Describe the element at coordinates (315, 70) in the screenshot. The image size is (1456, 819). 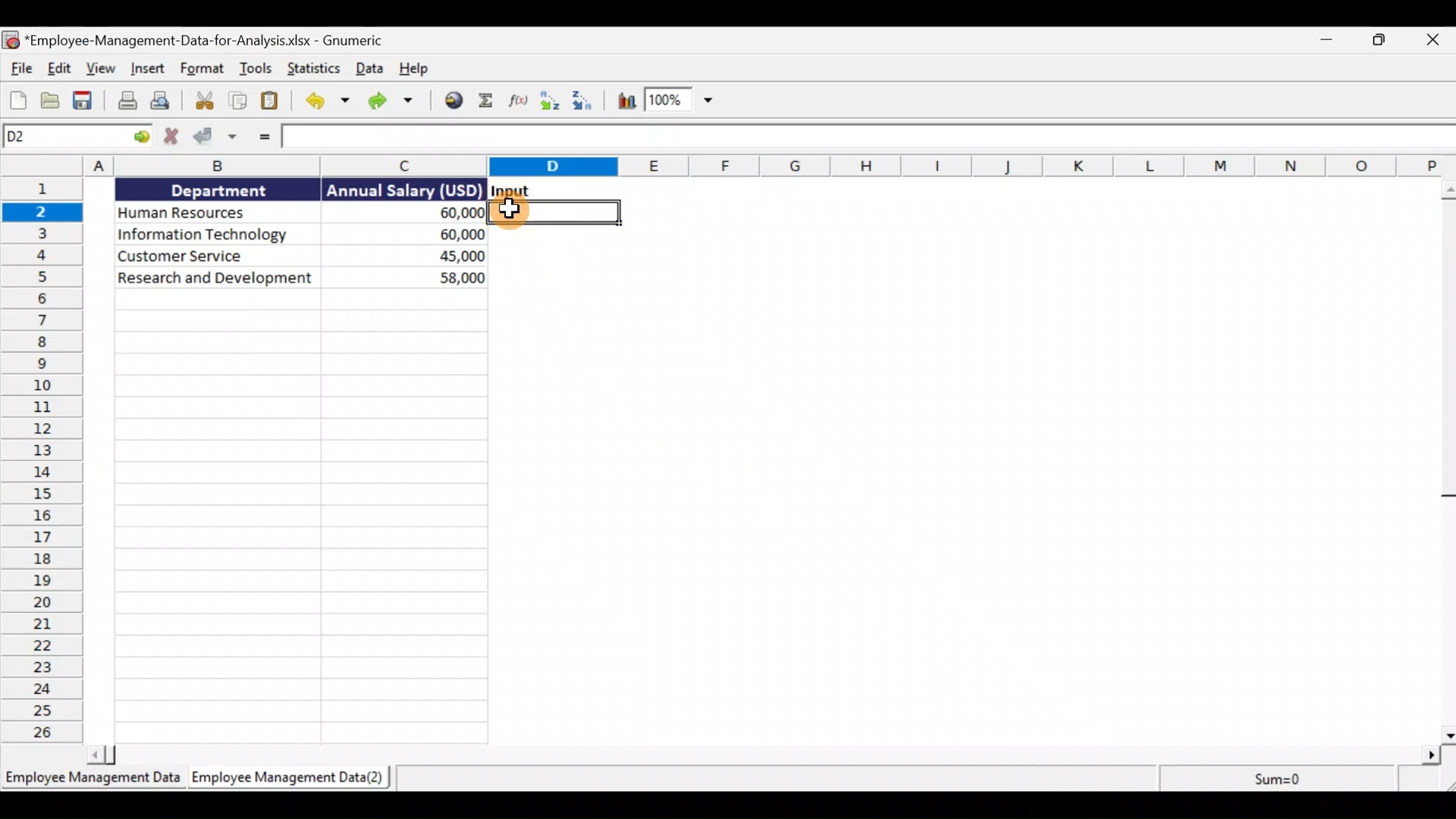
I see `Statistics` at that location.